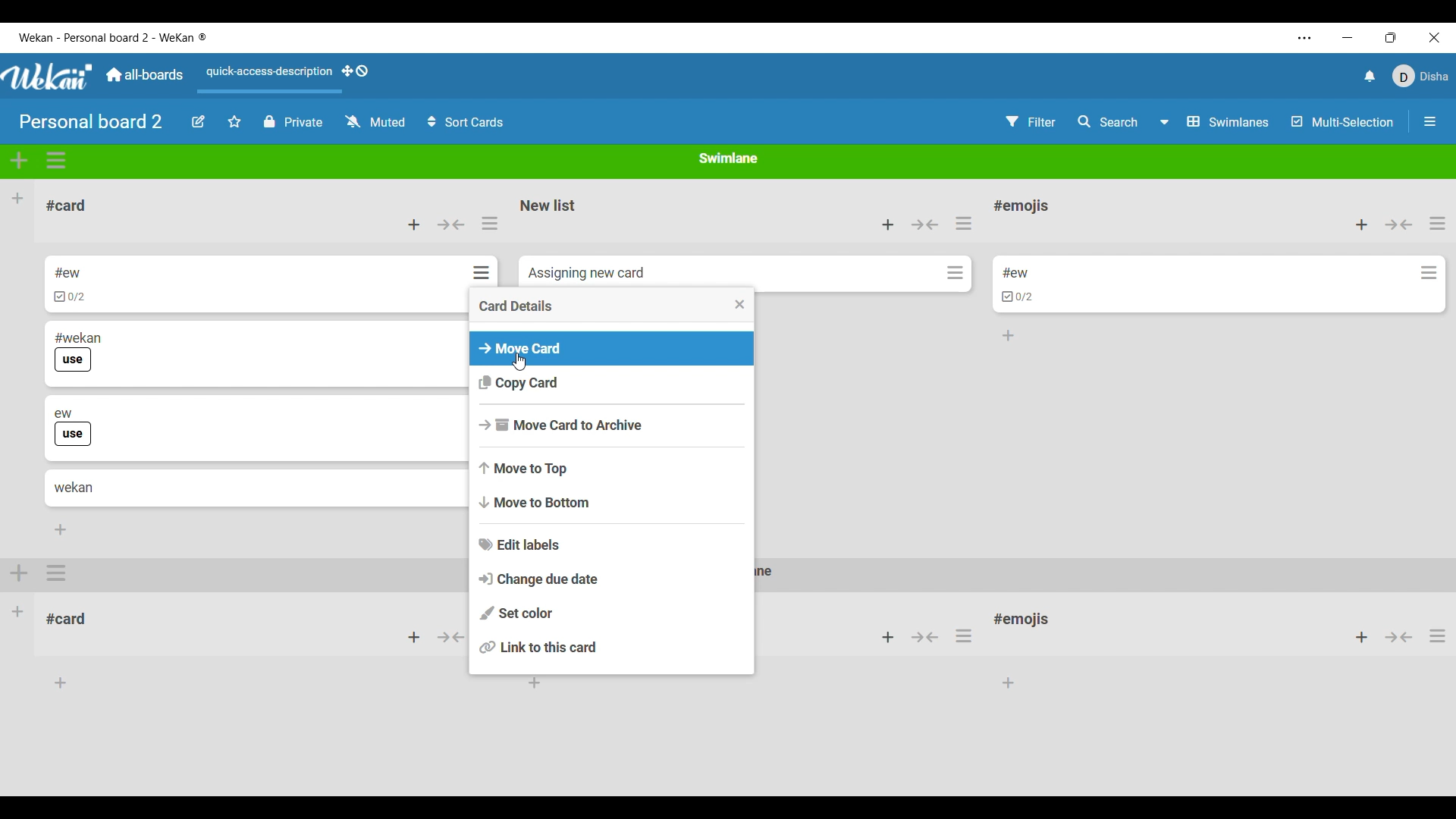 This screenshot has width=1456, height=819. Describe the element at coordinates (955, 272) in the screenshot. I see `Card actions` at that location.